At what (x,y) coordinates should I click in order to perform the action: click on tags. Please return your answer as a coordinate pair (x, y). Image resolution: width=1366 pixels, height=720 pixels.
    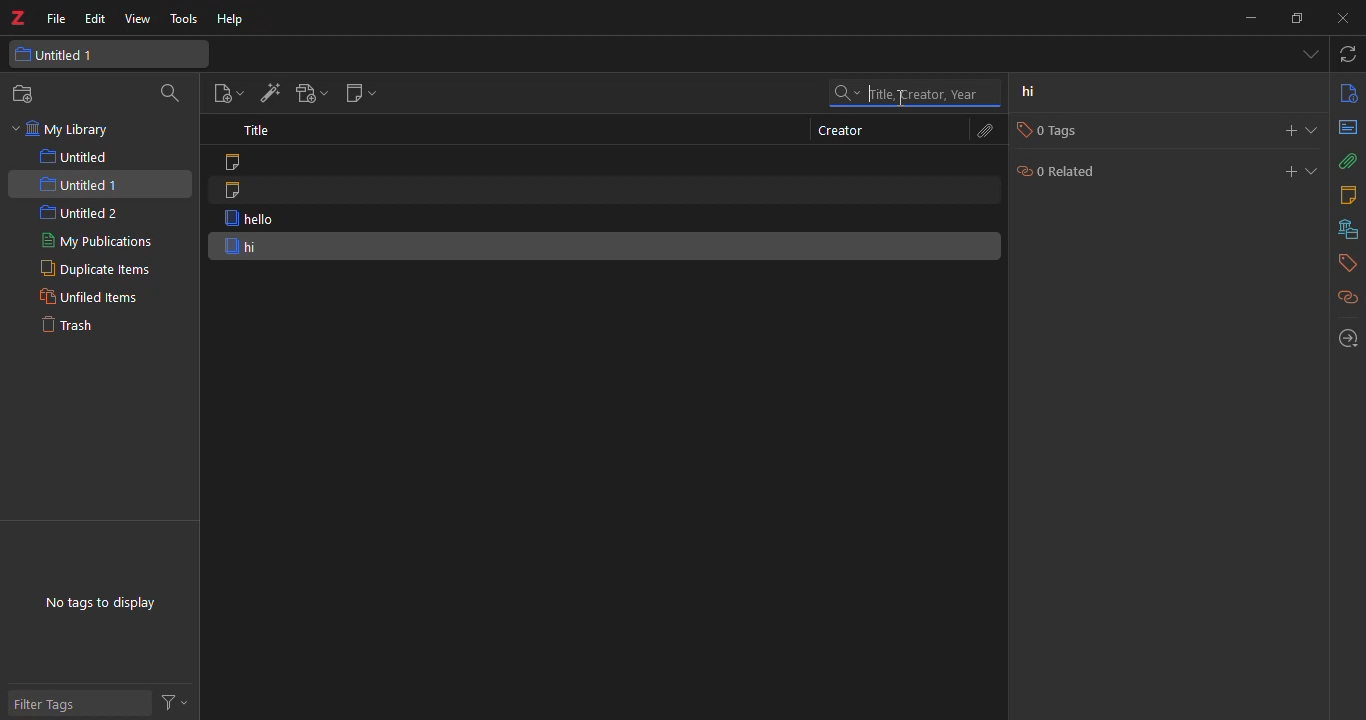
    Looking at the image, I should click on (1345, 265).